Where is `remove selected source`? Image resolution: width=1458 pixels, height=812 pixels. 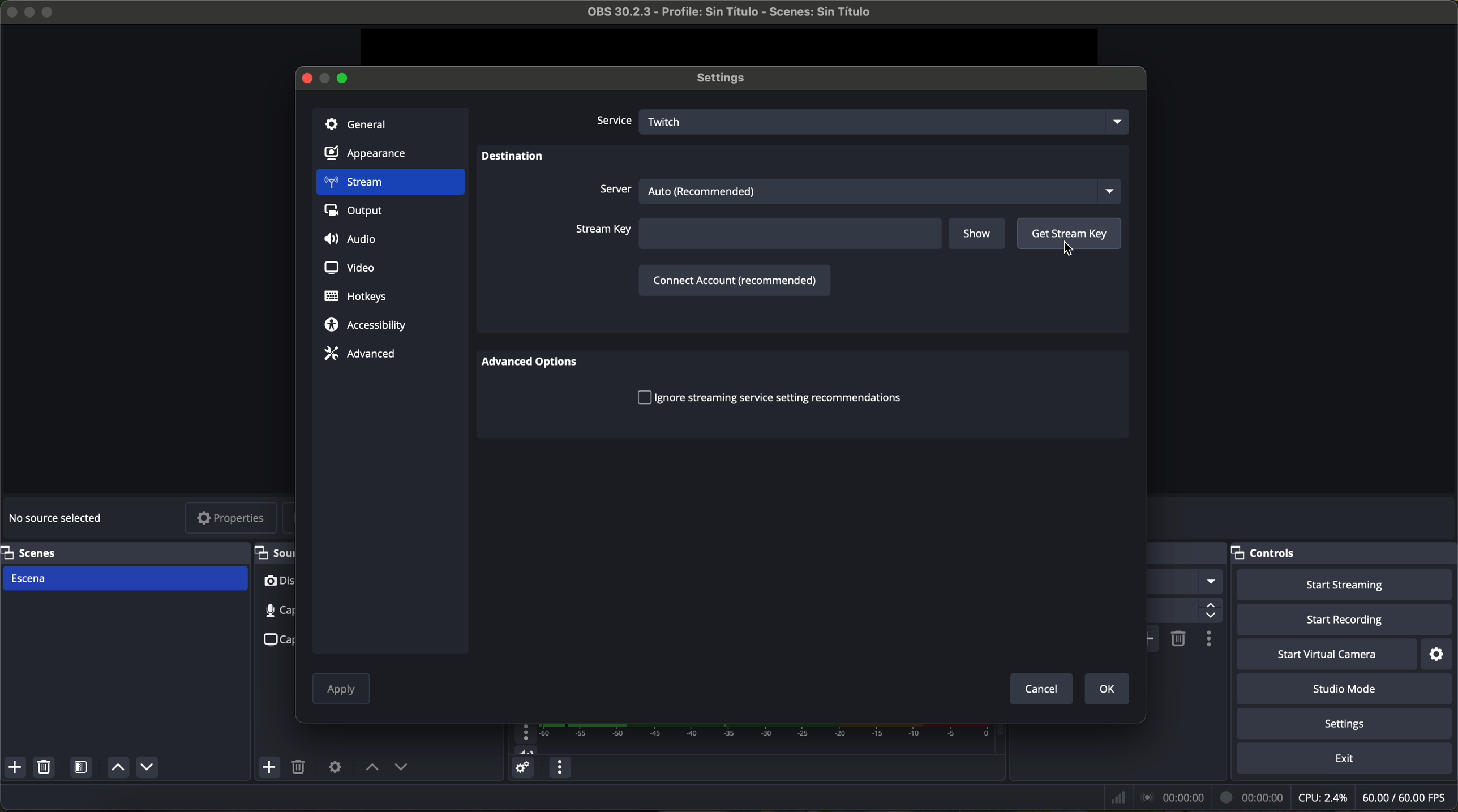 remove selected source is located at coordinates (301, 768).